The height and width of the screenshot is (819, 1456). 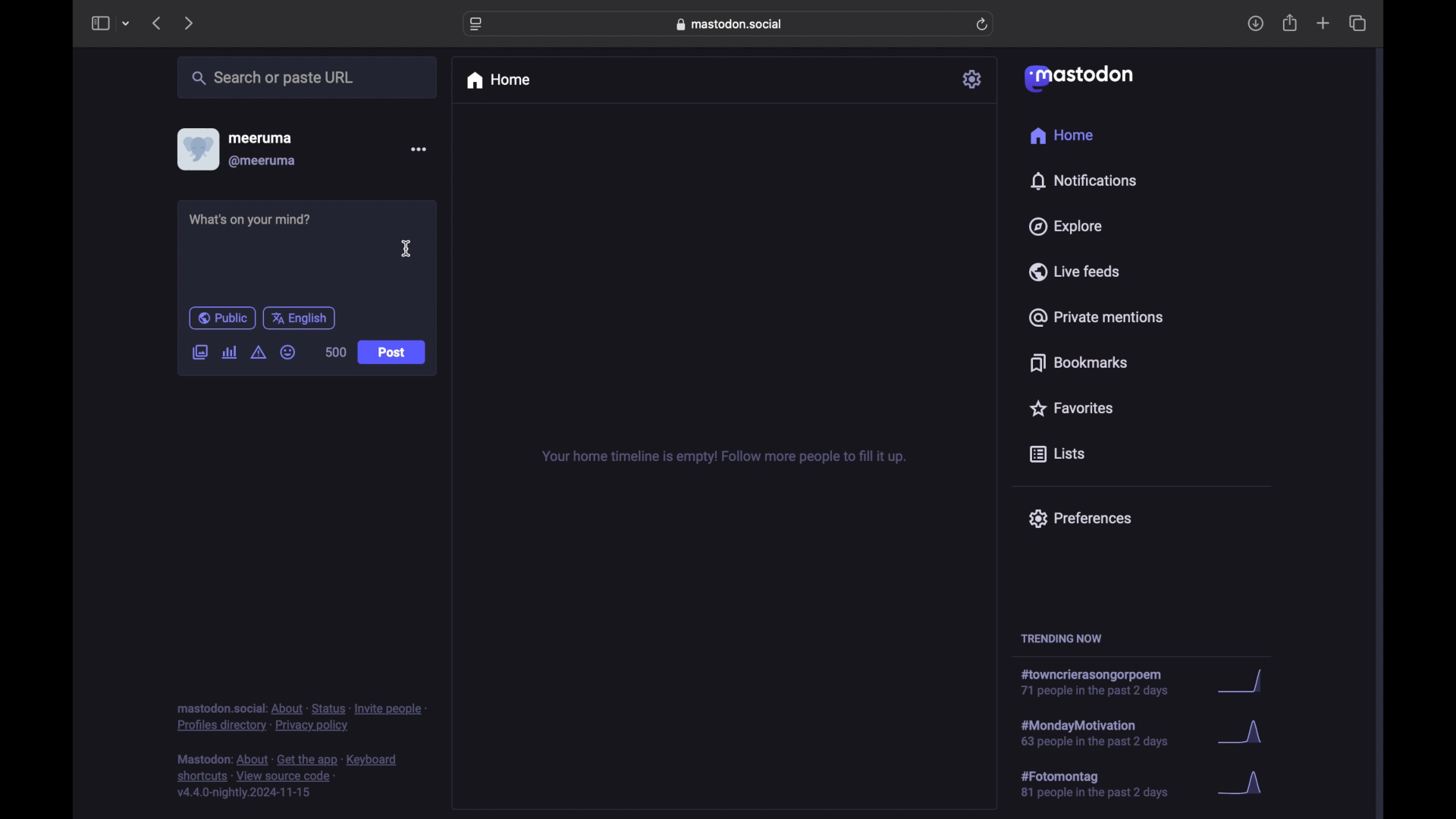 I want to click on @meeruma, so click(x=264, y=162).